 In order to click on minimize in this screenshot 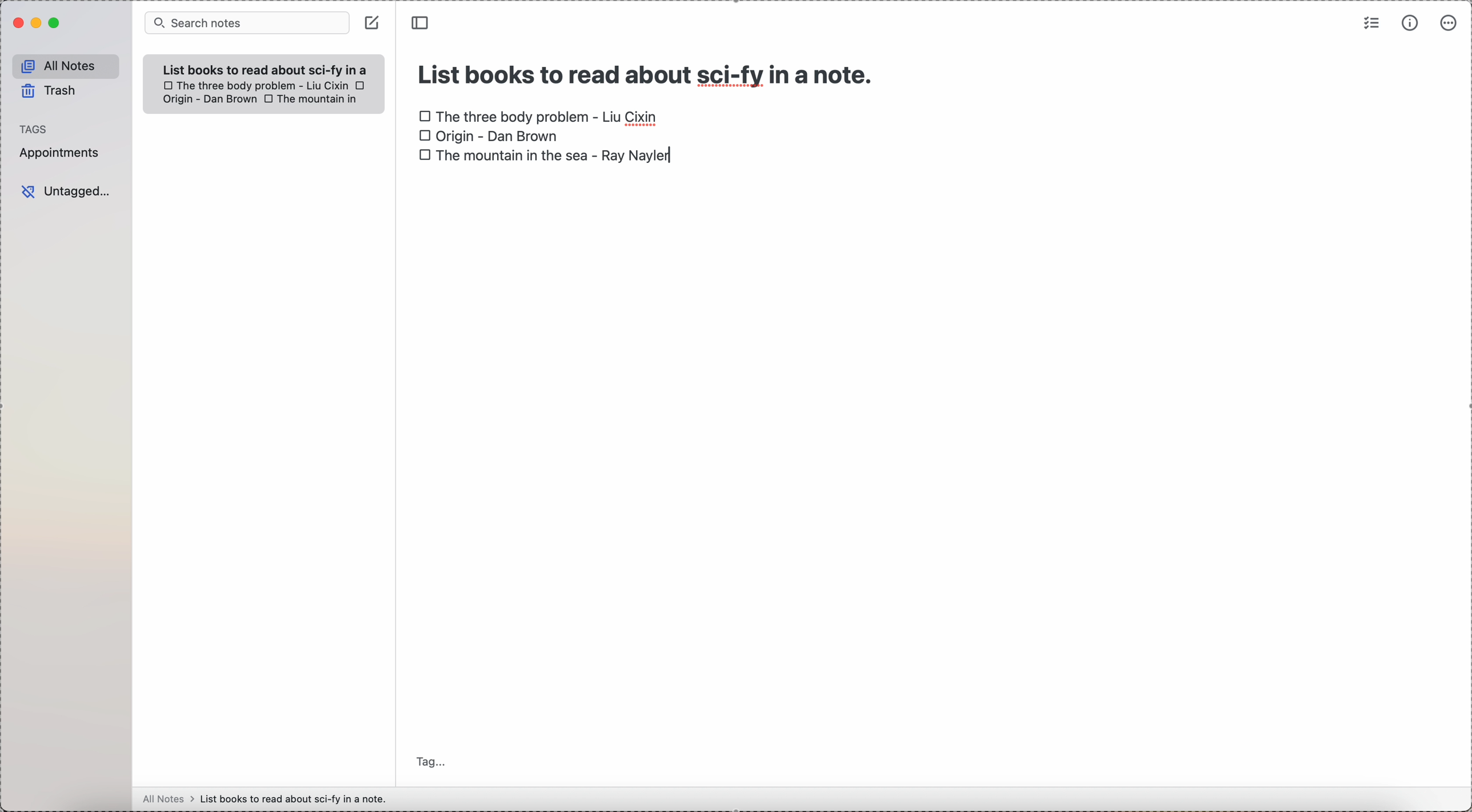, I will do `click(34, 23)`.